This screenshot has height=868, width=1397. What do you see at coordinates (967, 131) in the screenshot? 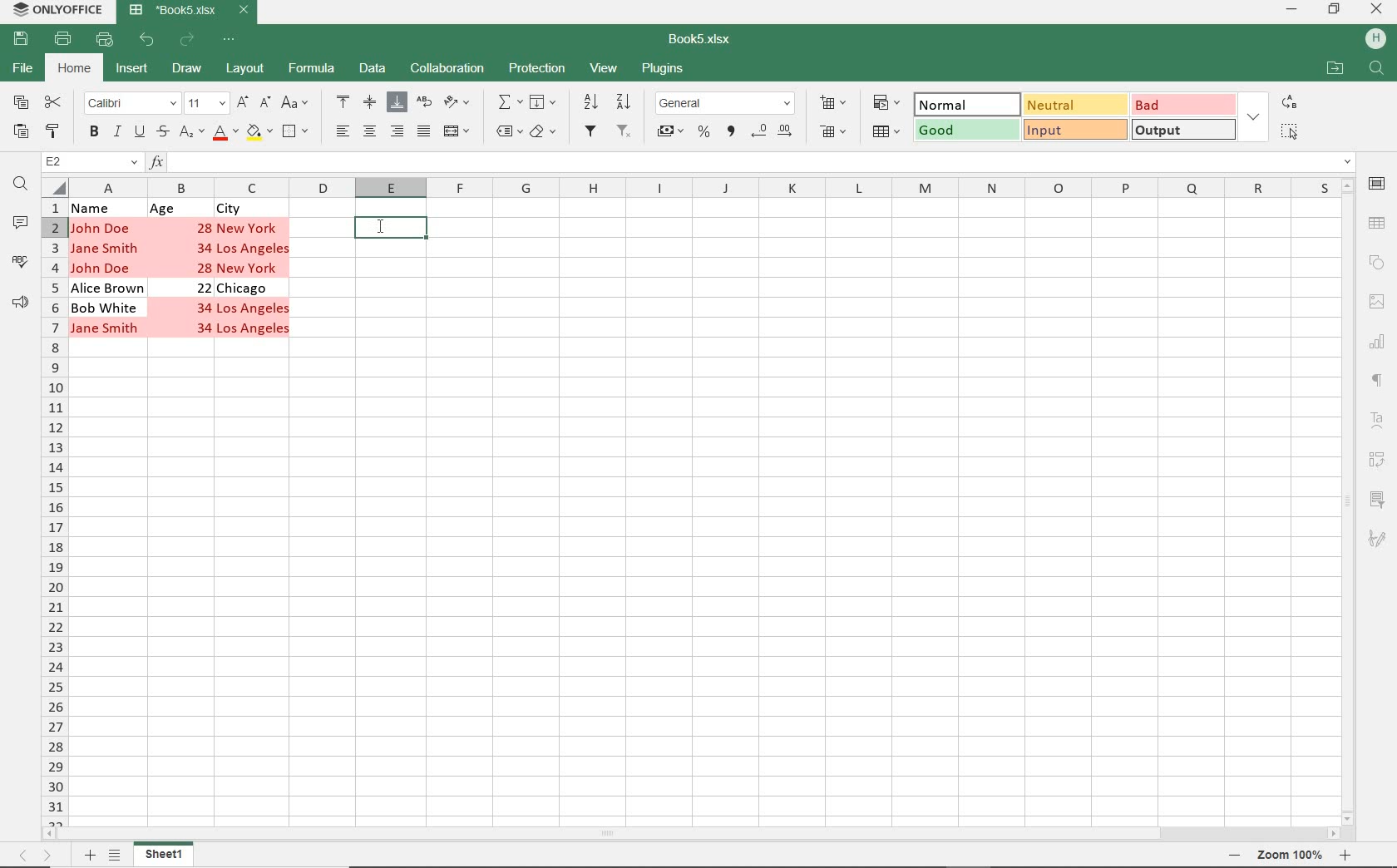
I see `GOOD` at bounding box center [967, 131].